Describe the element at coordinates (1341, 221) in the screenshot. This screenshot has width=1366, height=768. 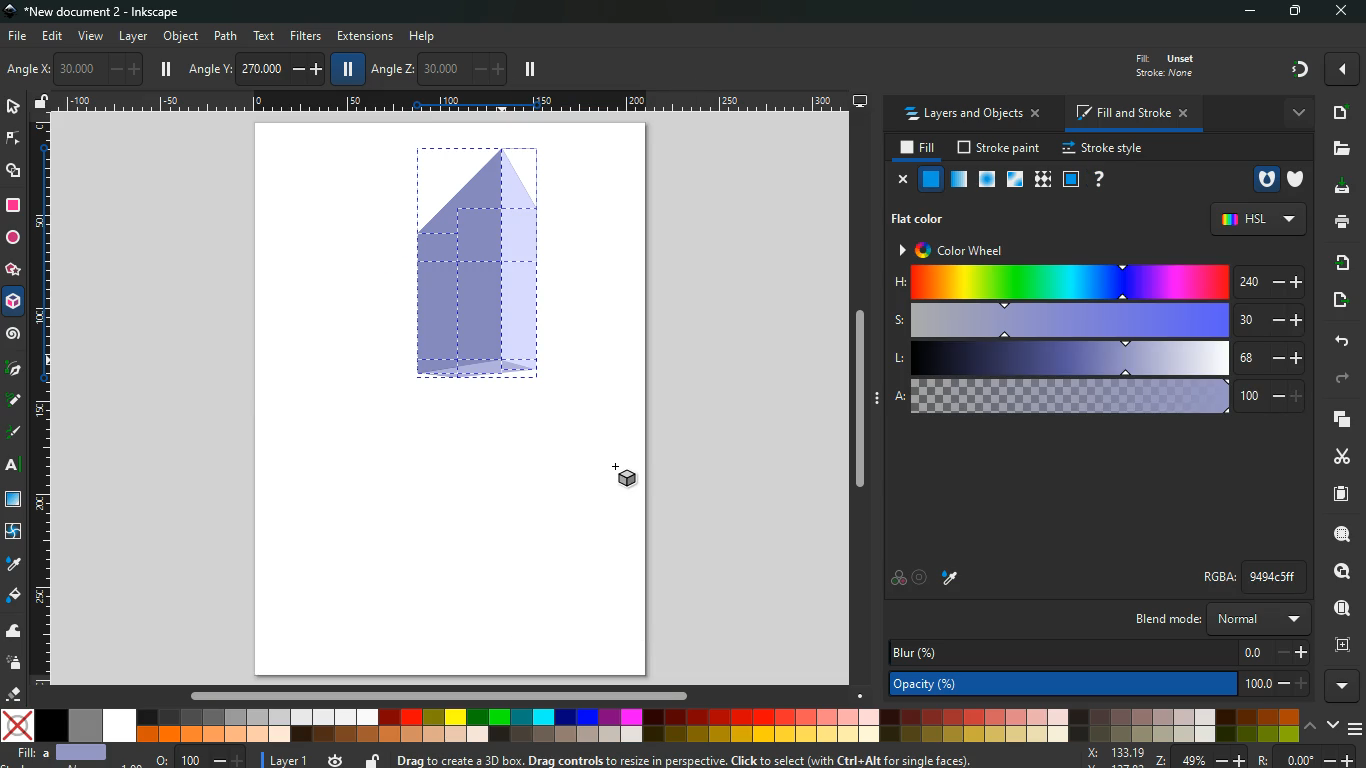
I see `print` at that location.